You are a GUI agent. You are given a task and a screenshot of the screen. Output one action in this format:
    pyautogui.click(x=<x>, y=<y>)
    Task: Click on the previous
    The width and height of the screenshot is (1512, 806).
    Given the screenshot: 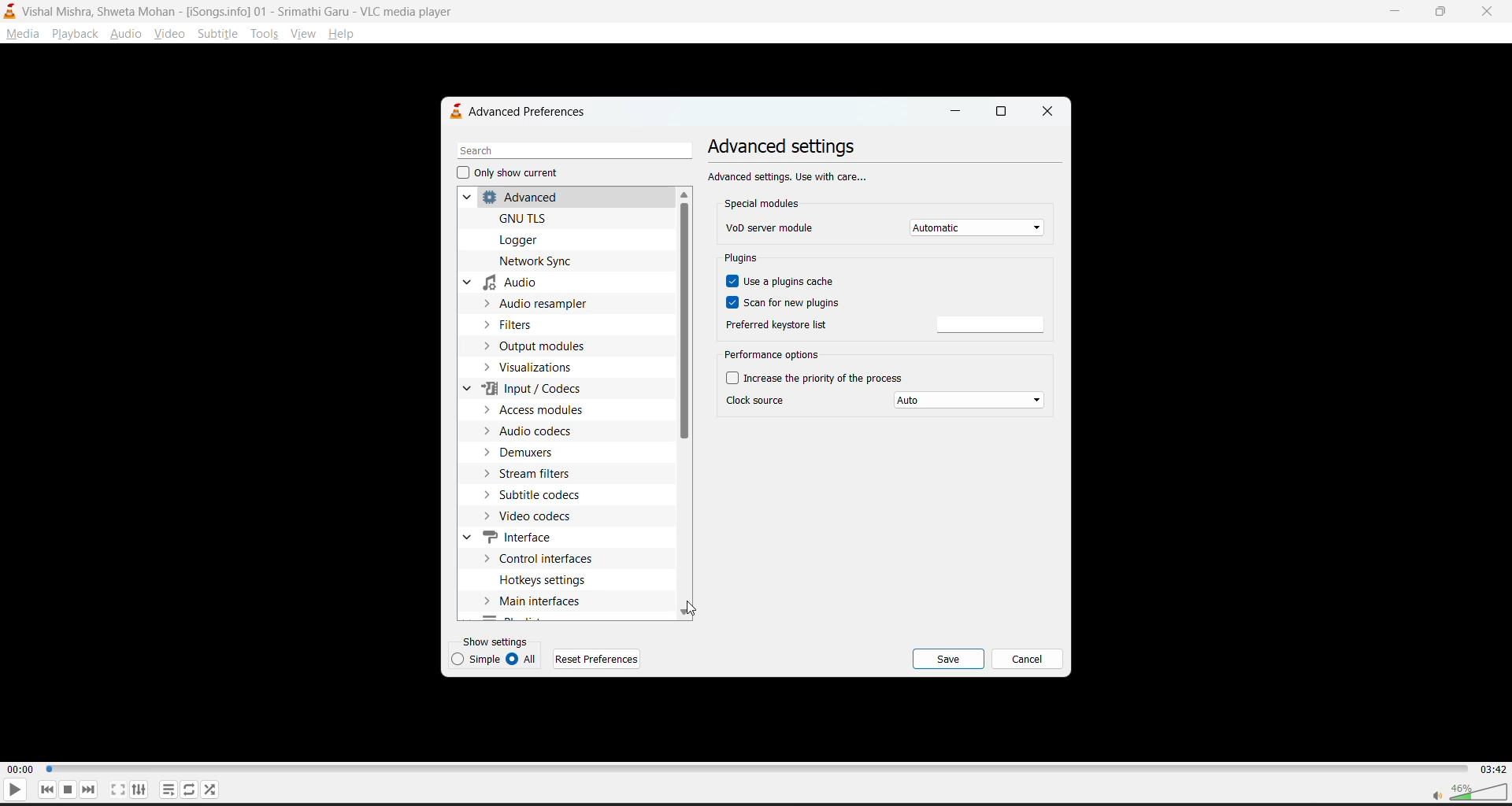 What is the action you would take?
    pyautogui.click(x=48, y=789)
    